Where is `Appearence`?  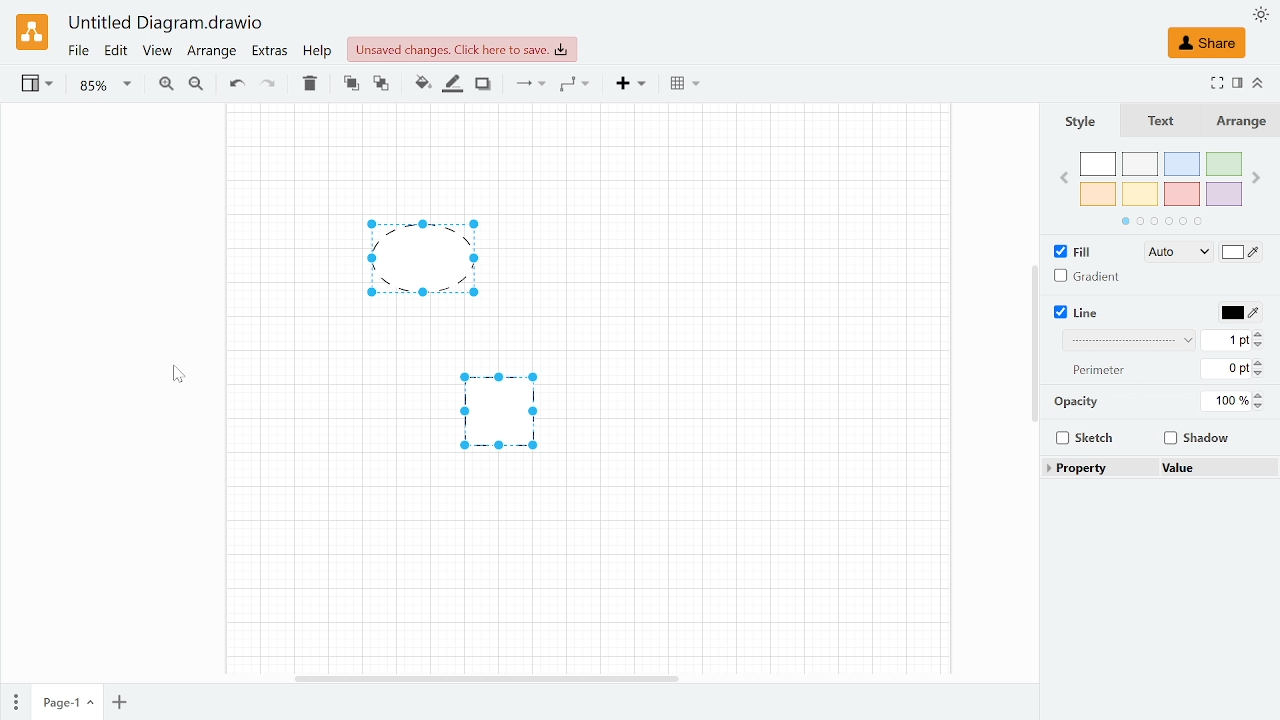
Appearence is located at coordinates (1260, 14).